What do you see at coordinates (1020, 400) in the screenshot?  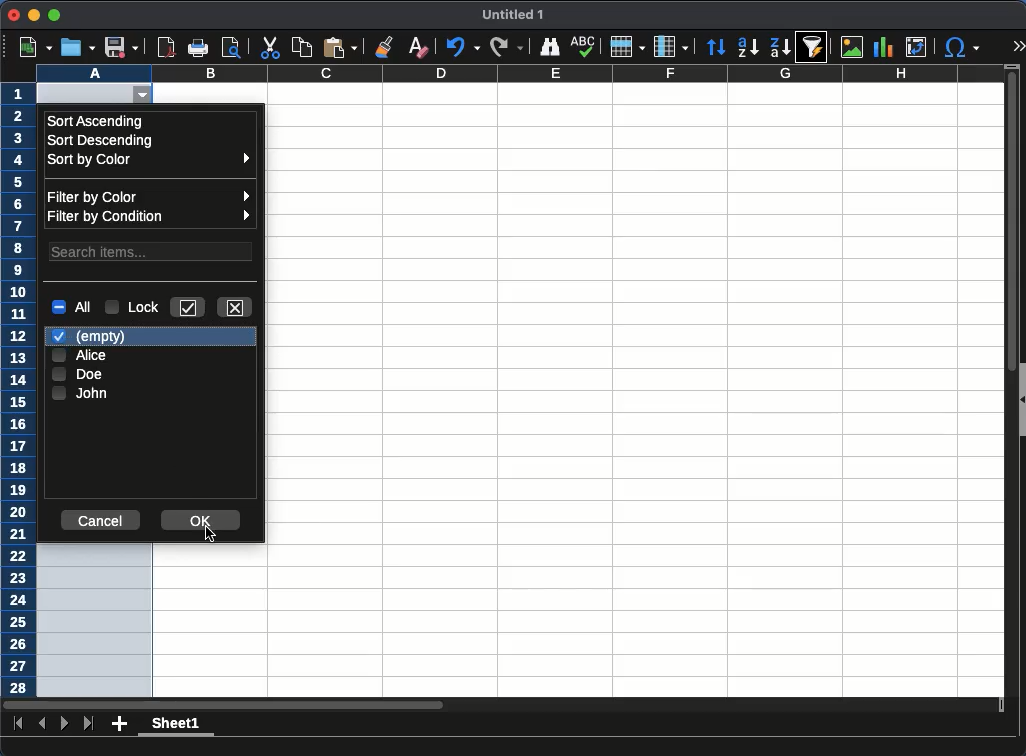 I see `collapse` at bounding box center [1020, 400].